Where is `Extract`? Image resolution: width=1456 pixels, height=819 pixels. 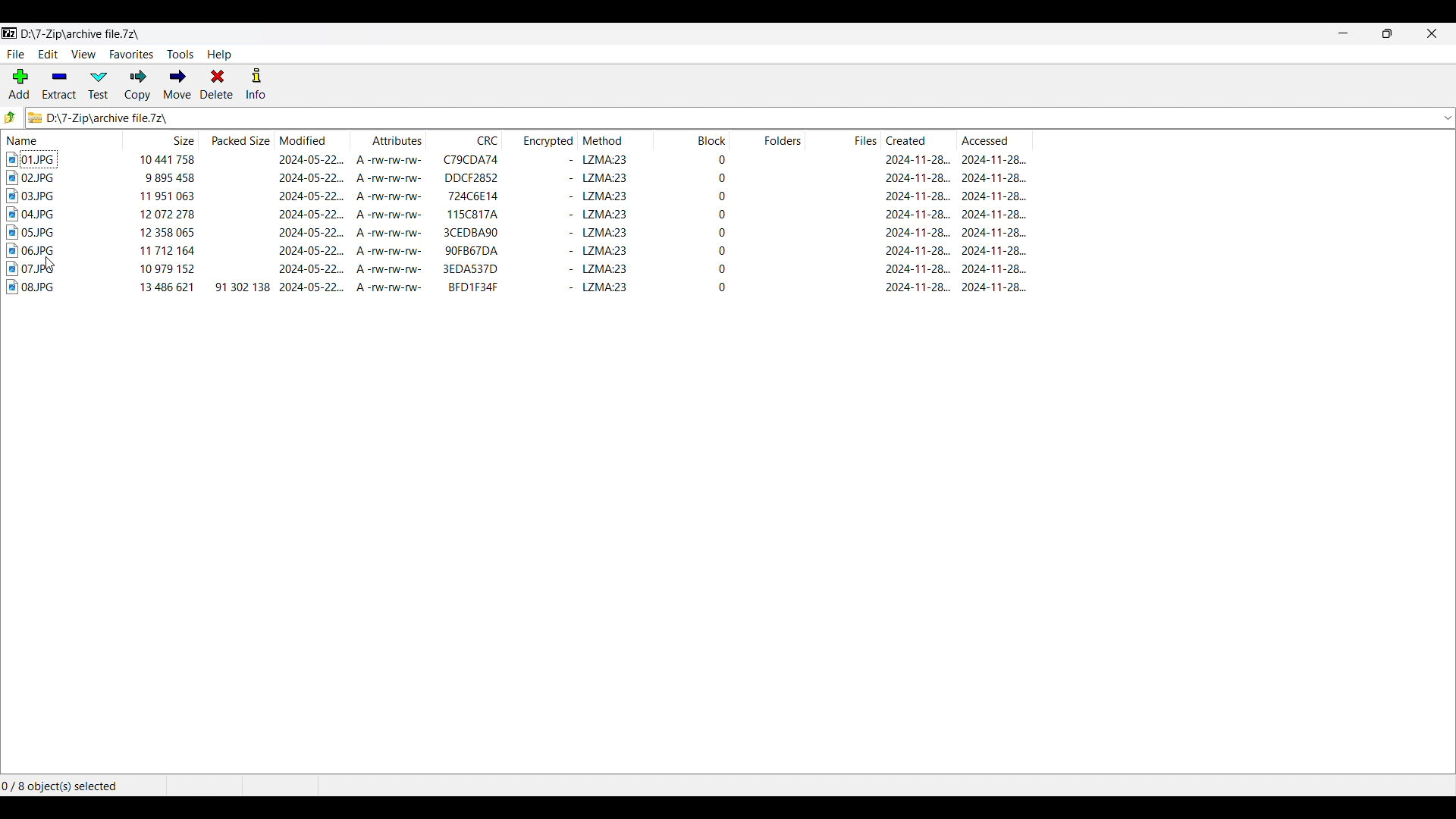
Extract is located at coordinates (60, 85).